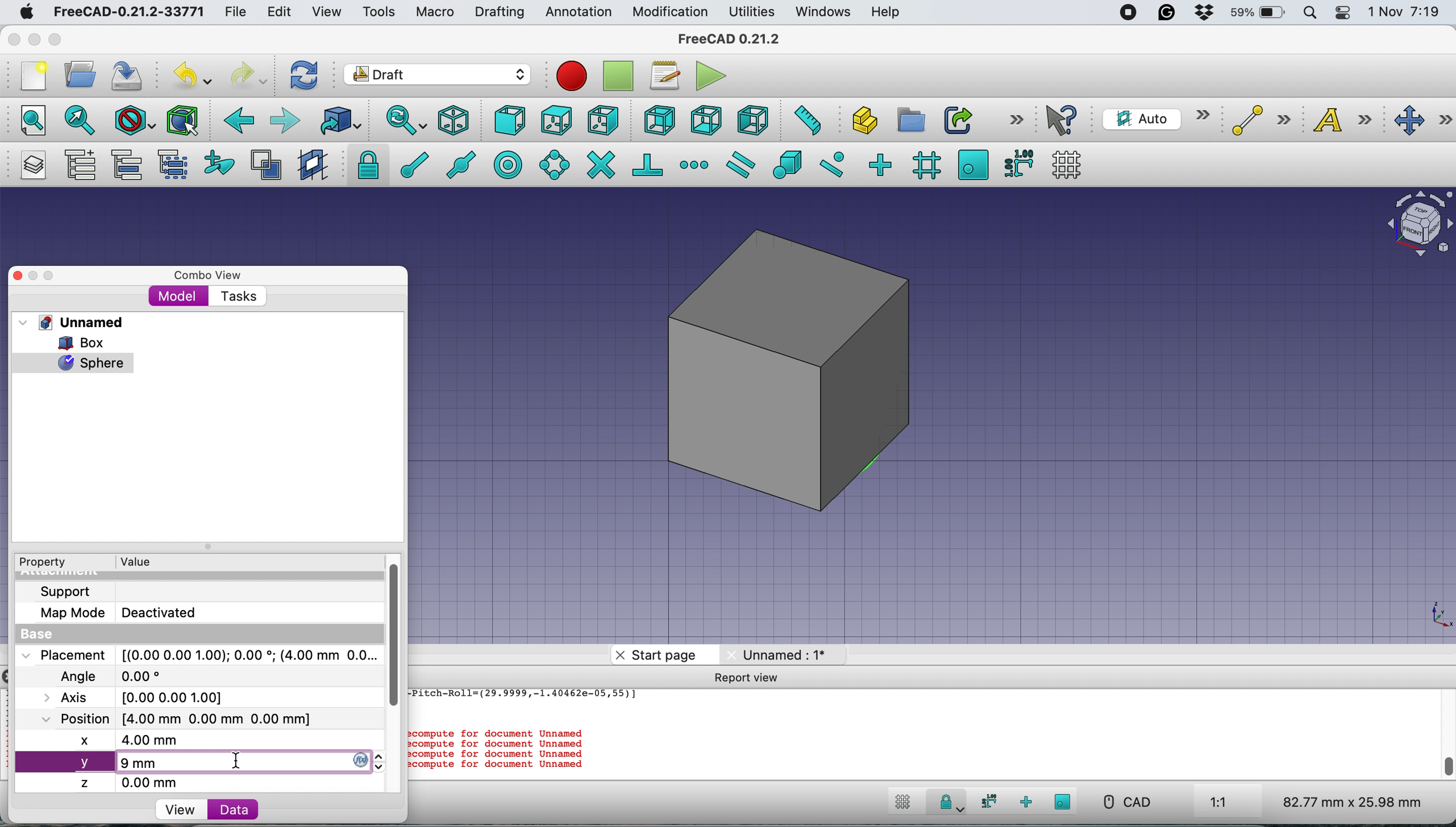 This screenshot has height=827, width=1456. What do you see at coordinates (33, 39) in the screenshot?
I see `minimise` at bounding box center [33, 39].